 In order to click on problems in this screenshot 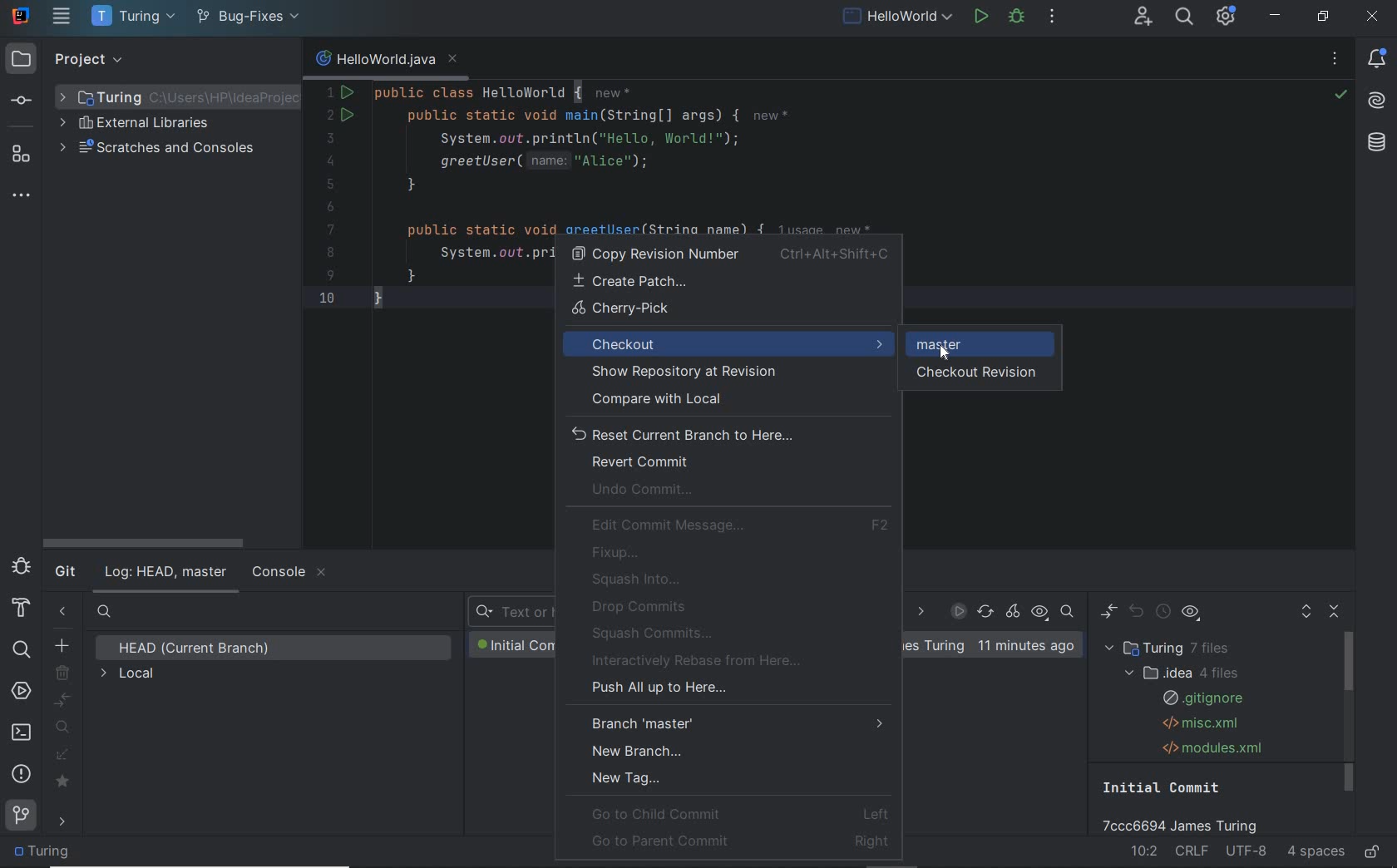, I will do `click(22, 773)`.